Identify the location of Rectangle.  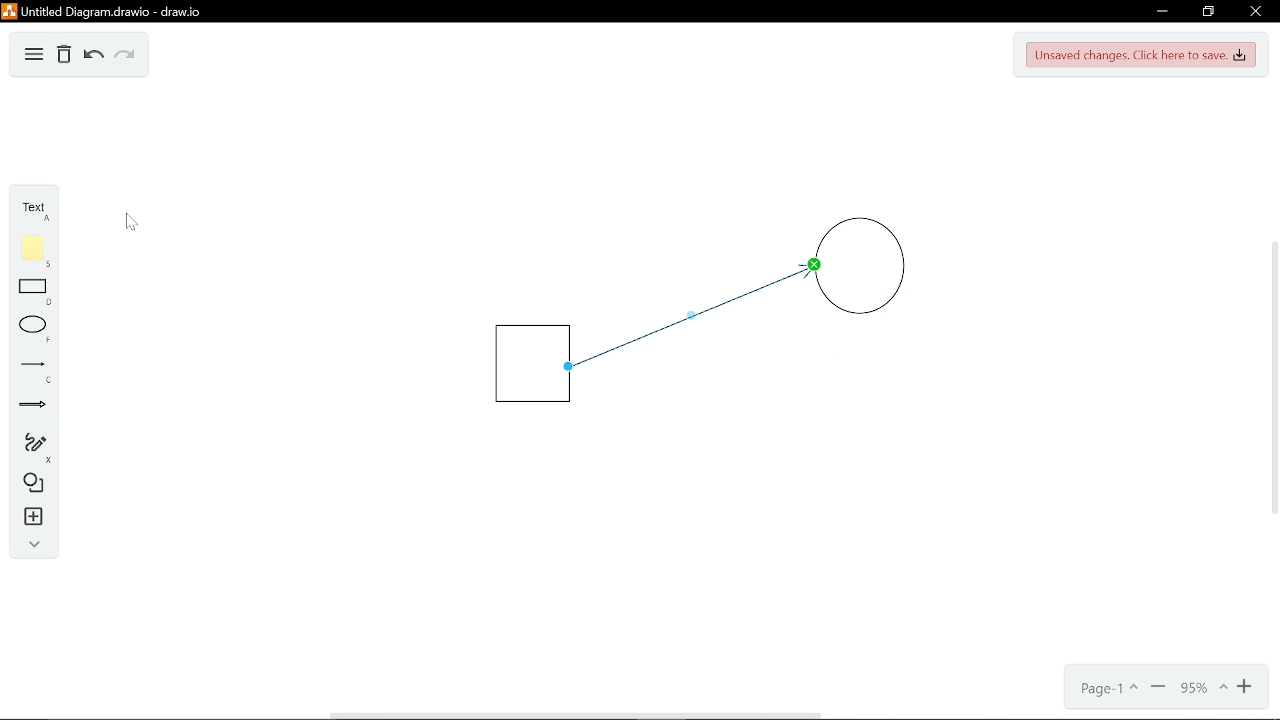
(29, 292).